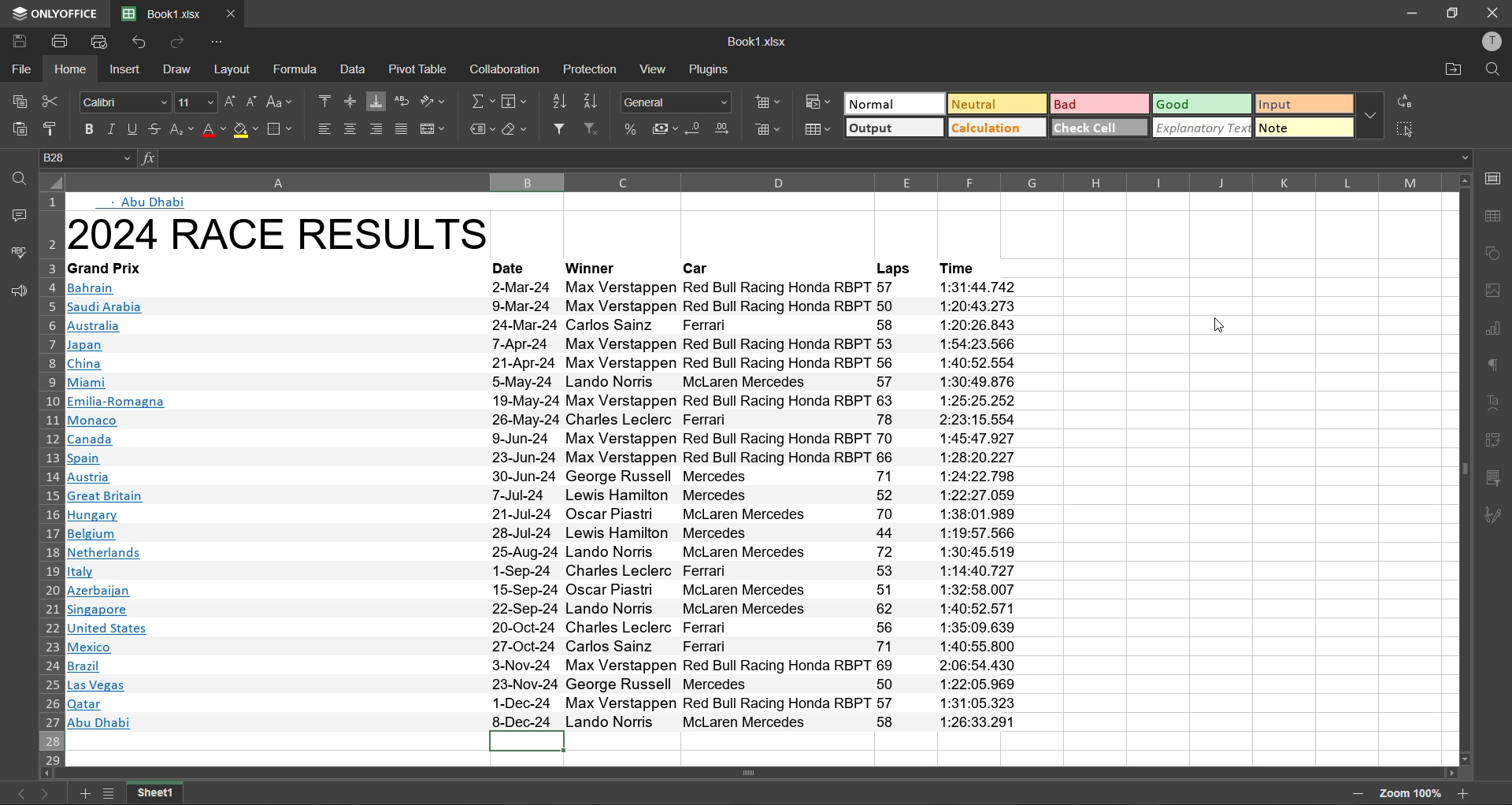 This screenshot has width=1512, height=805. What do you see at coordinates (17, 72) in the screenshot?
I see `file` at bounding box center [17, 72].